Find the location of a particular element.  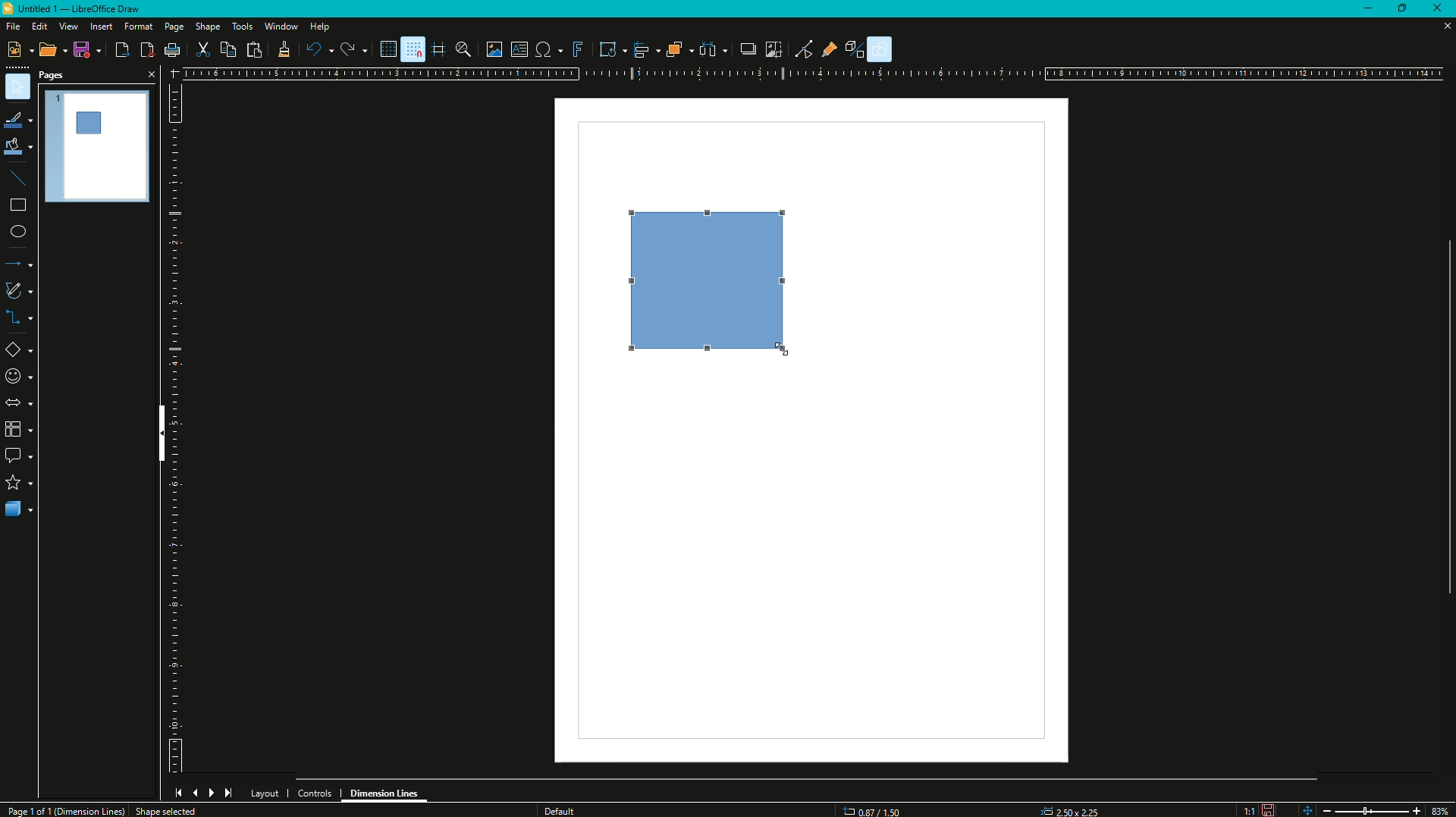

Transformations is located at coordinates (607, 48).